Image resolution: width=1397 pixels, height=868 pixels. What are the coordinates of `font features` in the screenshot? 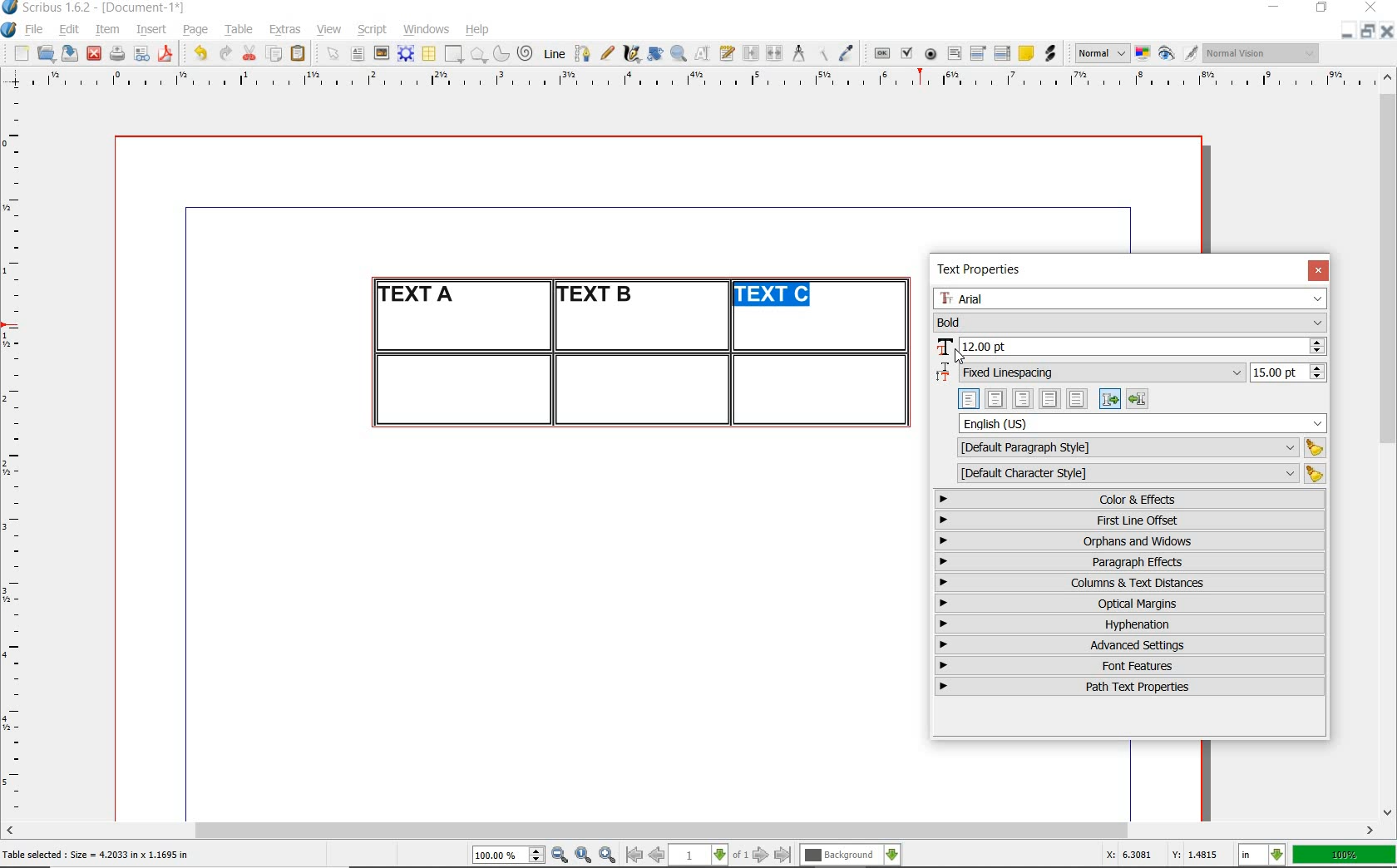 It's located at (1130, 665).